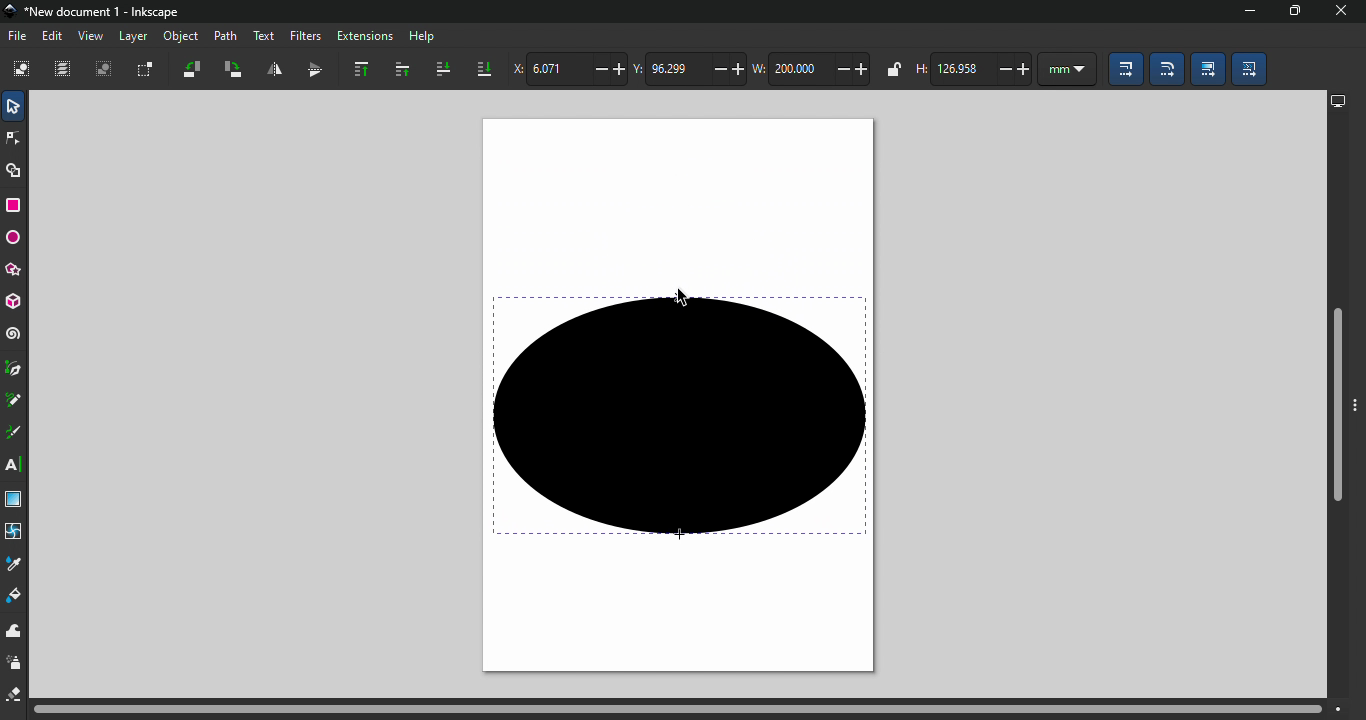 The height and width of the screenshot is (720, 1366). Describe the element at coordinates (365, 36) in the screenshot. I see `Extensions` at that location.